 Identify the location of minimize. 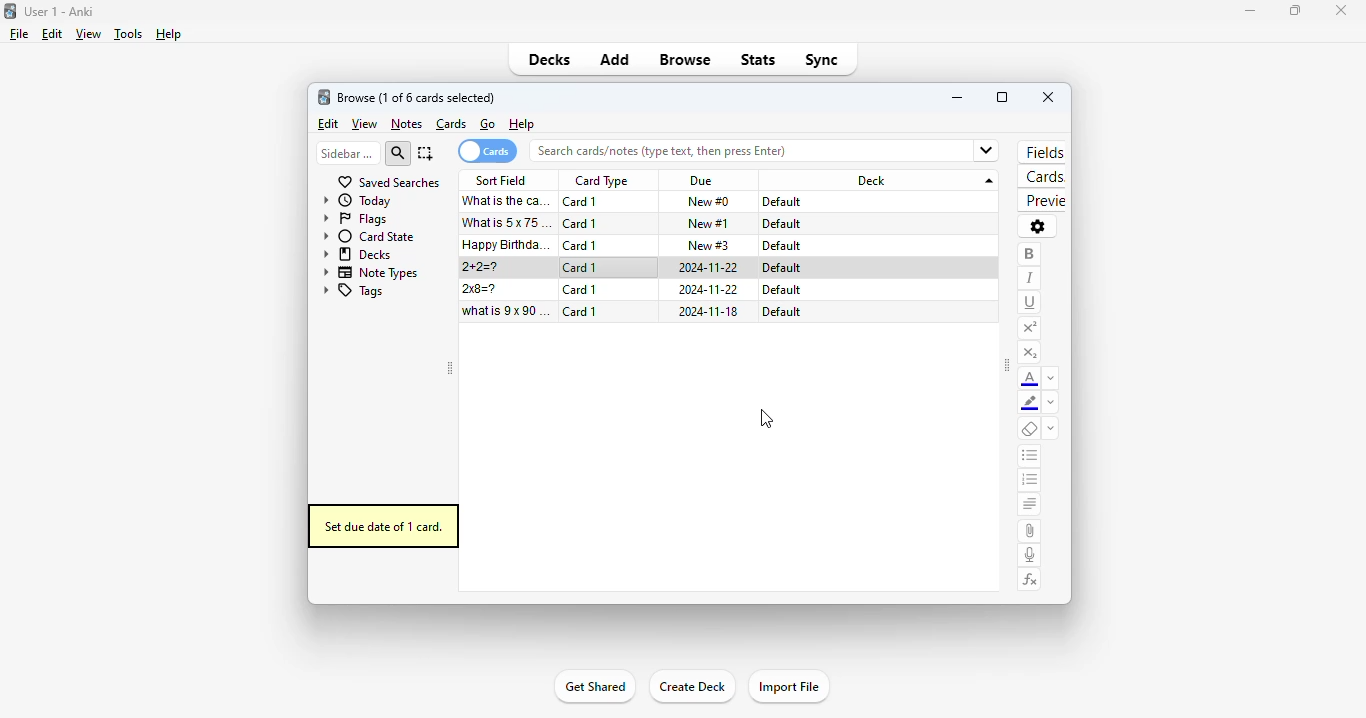
(958, 97).